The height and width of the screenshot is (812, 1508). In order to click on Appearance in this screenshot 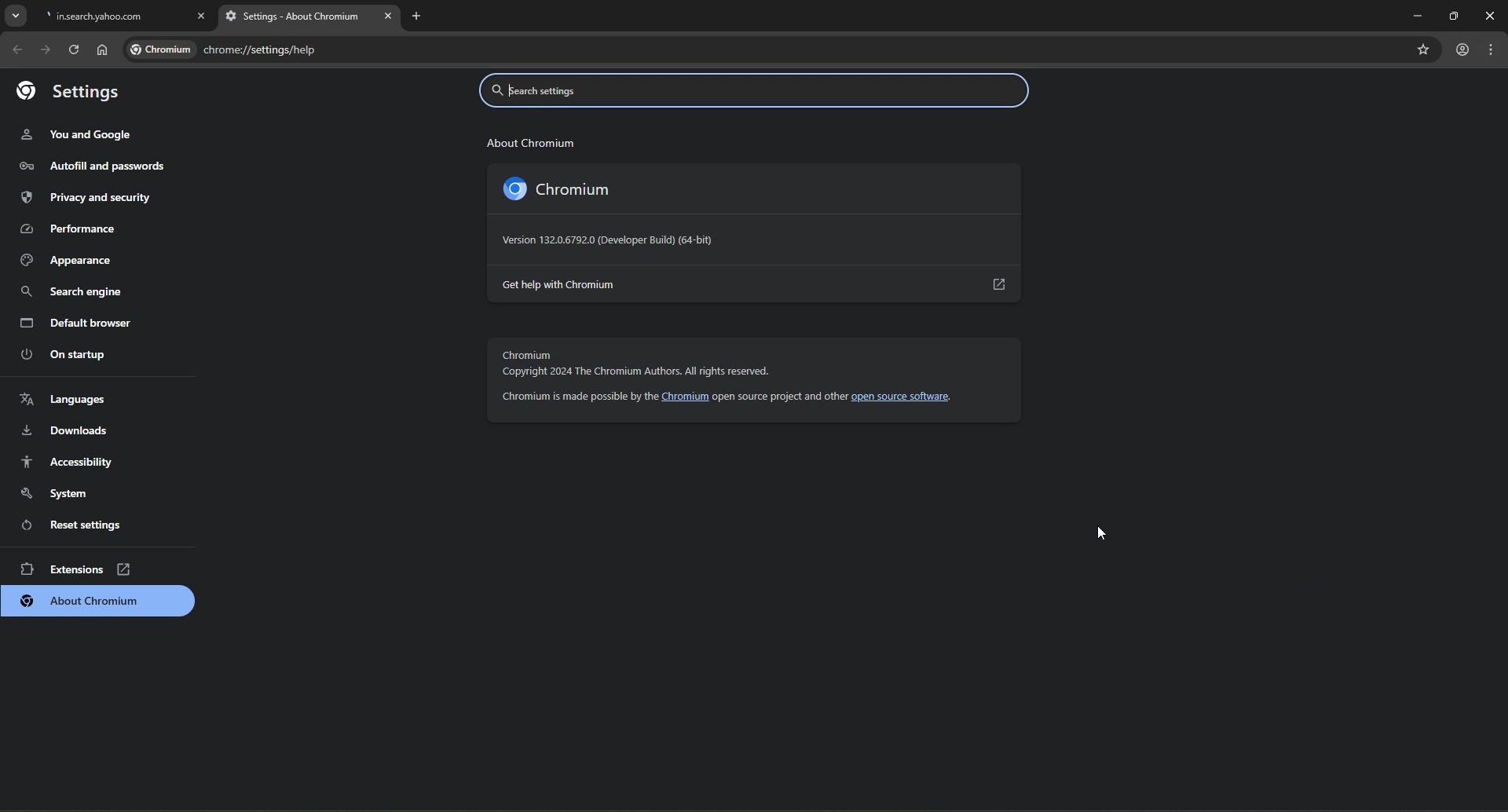, I will do `click(85, 258)`.